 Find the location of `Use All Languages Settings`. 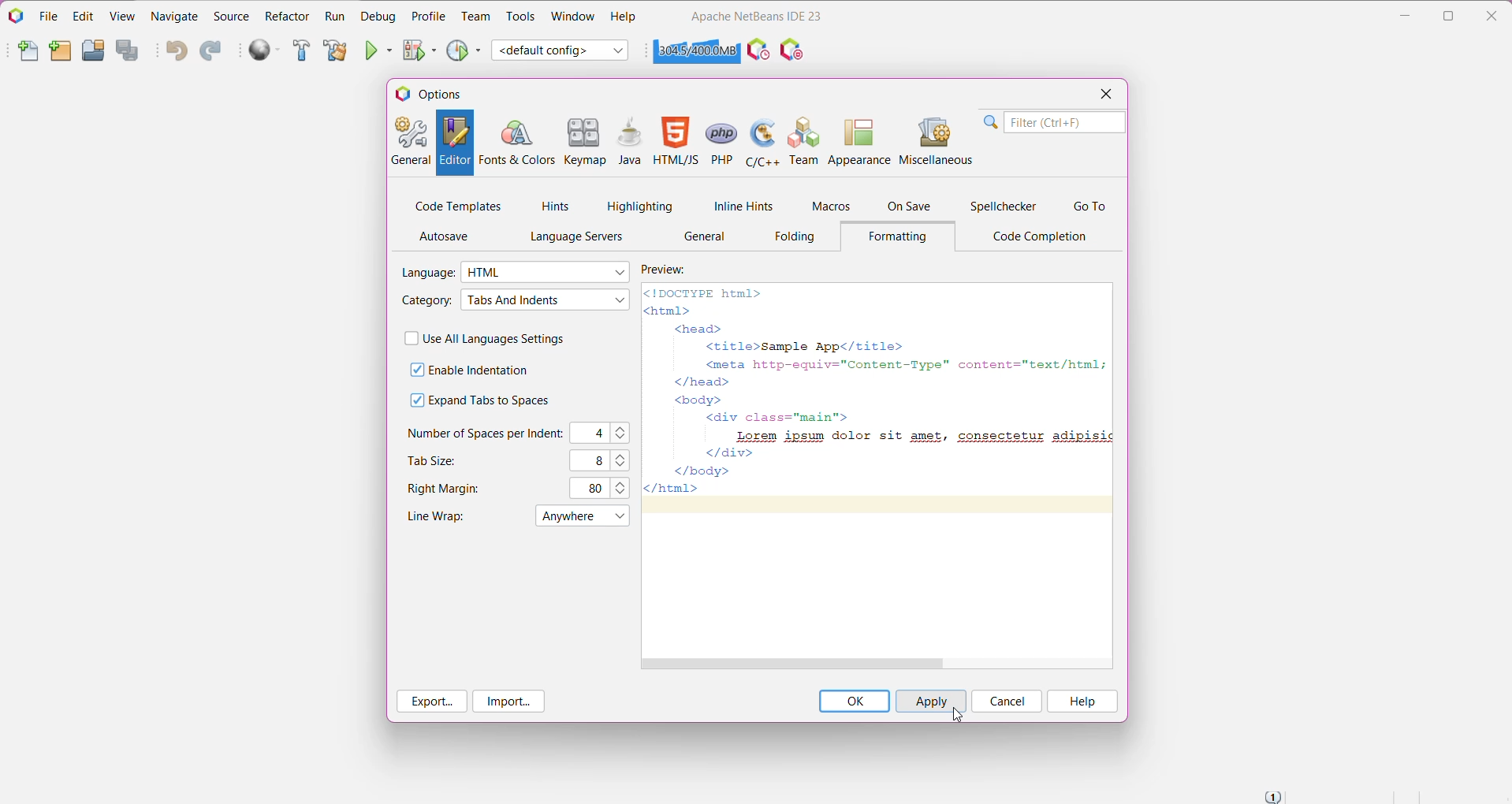

Use All Languages Settings is located at coordinates (501, 339).